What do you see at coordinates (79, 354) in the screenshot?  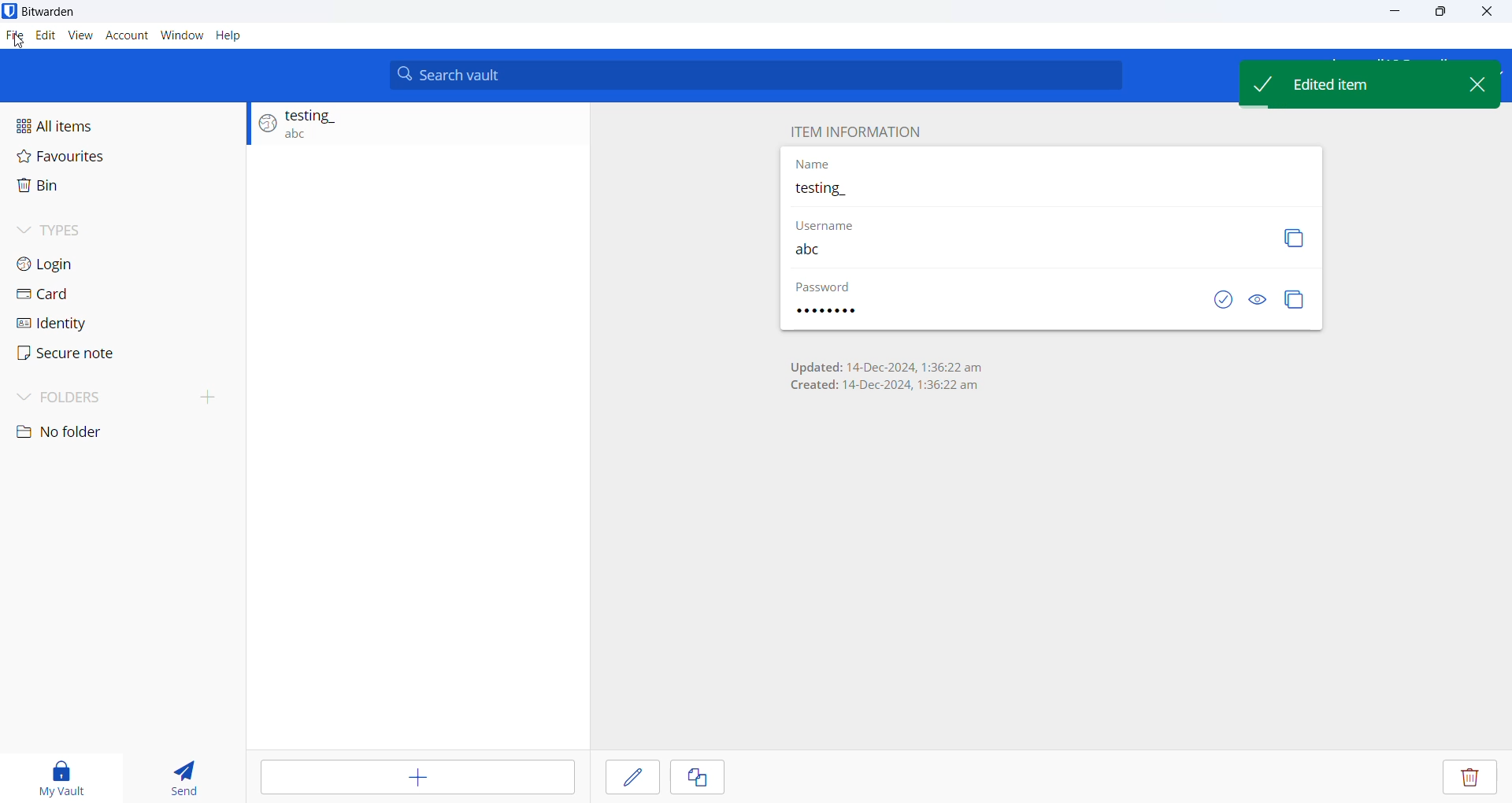 I see `Secure note` at bounding box center [79, 354].